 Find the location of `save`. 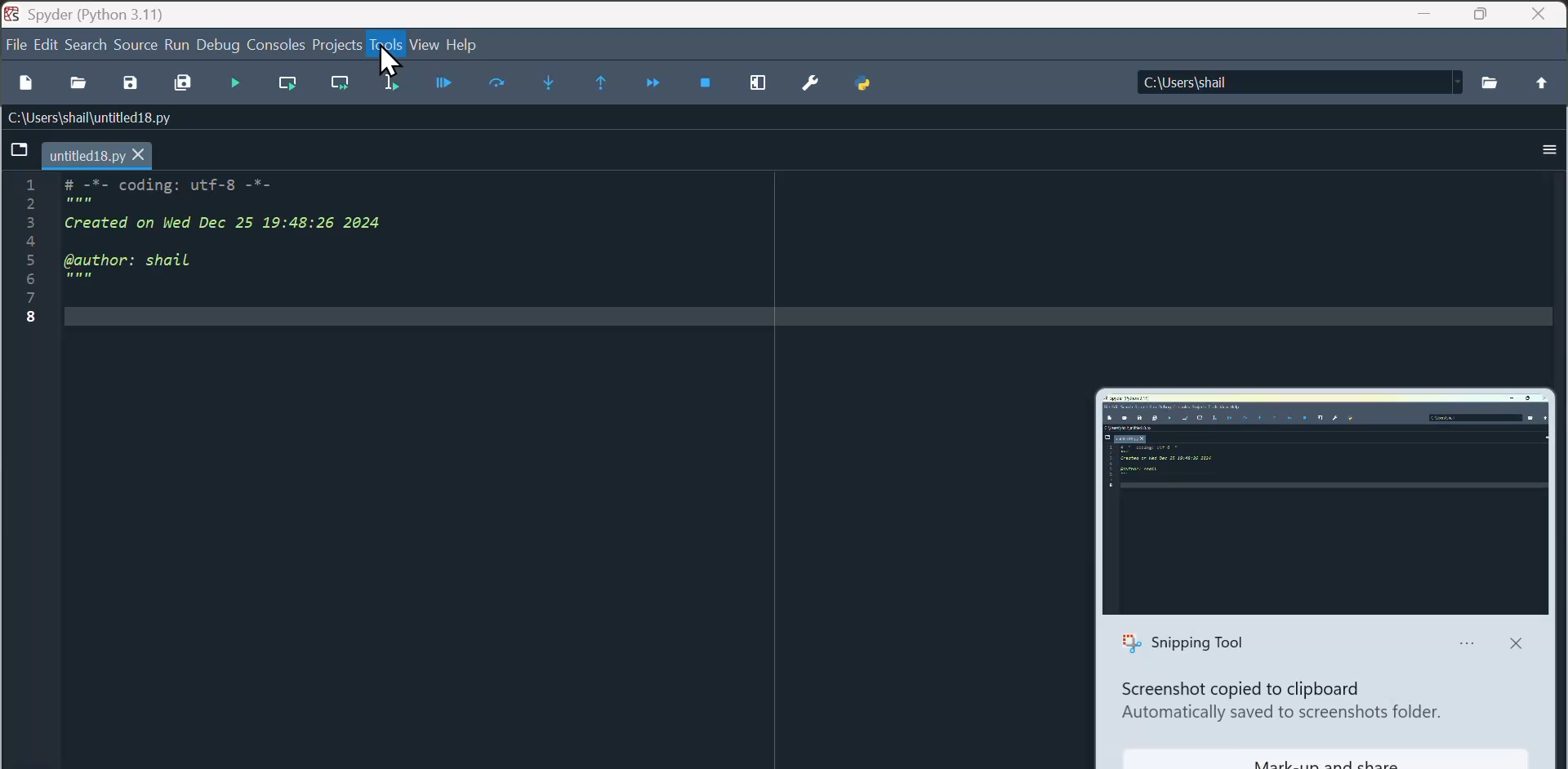

save is located at coordinates (130, 85).